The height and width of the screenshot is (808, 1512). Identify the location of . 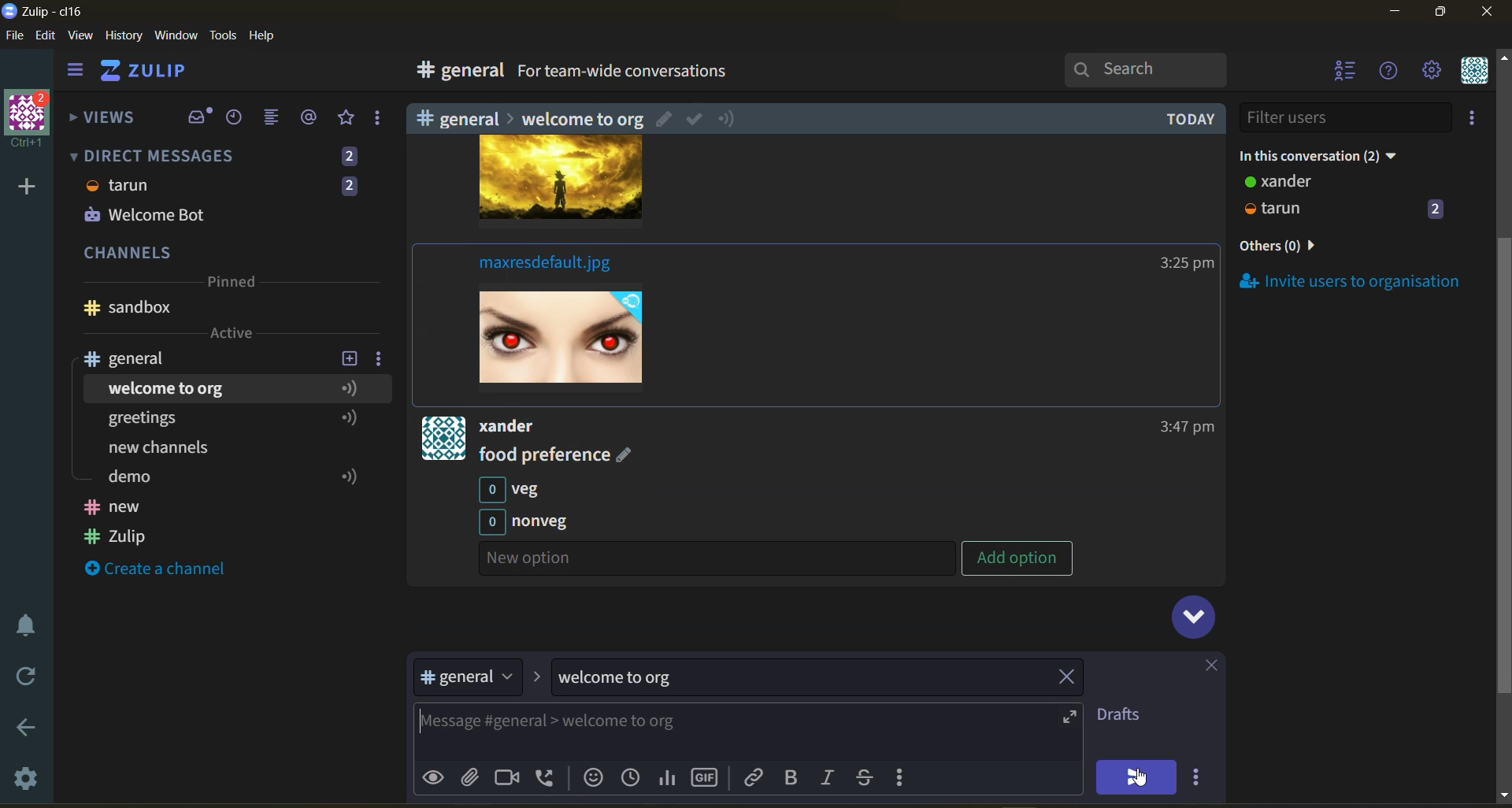
(524, 502).